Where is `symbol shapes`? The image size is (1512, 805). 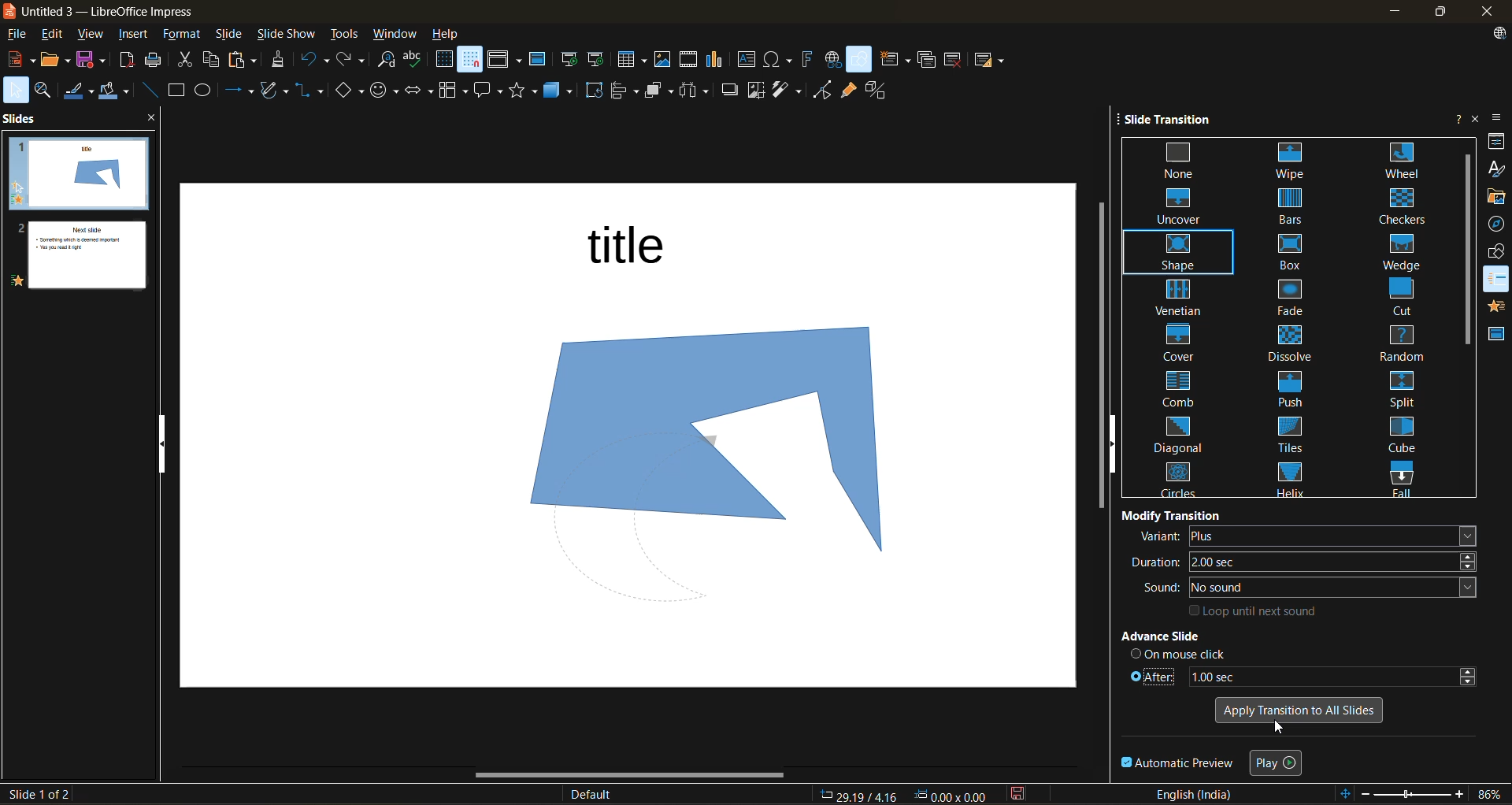 symbol shapes is located at coordinates (386, 89).